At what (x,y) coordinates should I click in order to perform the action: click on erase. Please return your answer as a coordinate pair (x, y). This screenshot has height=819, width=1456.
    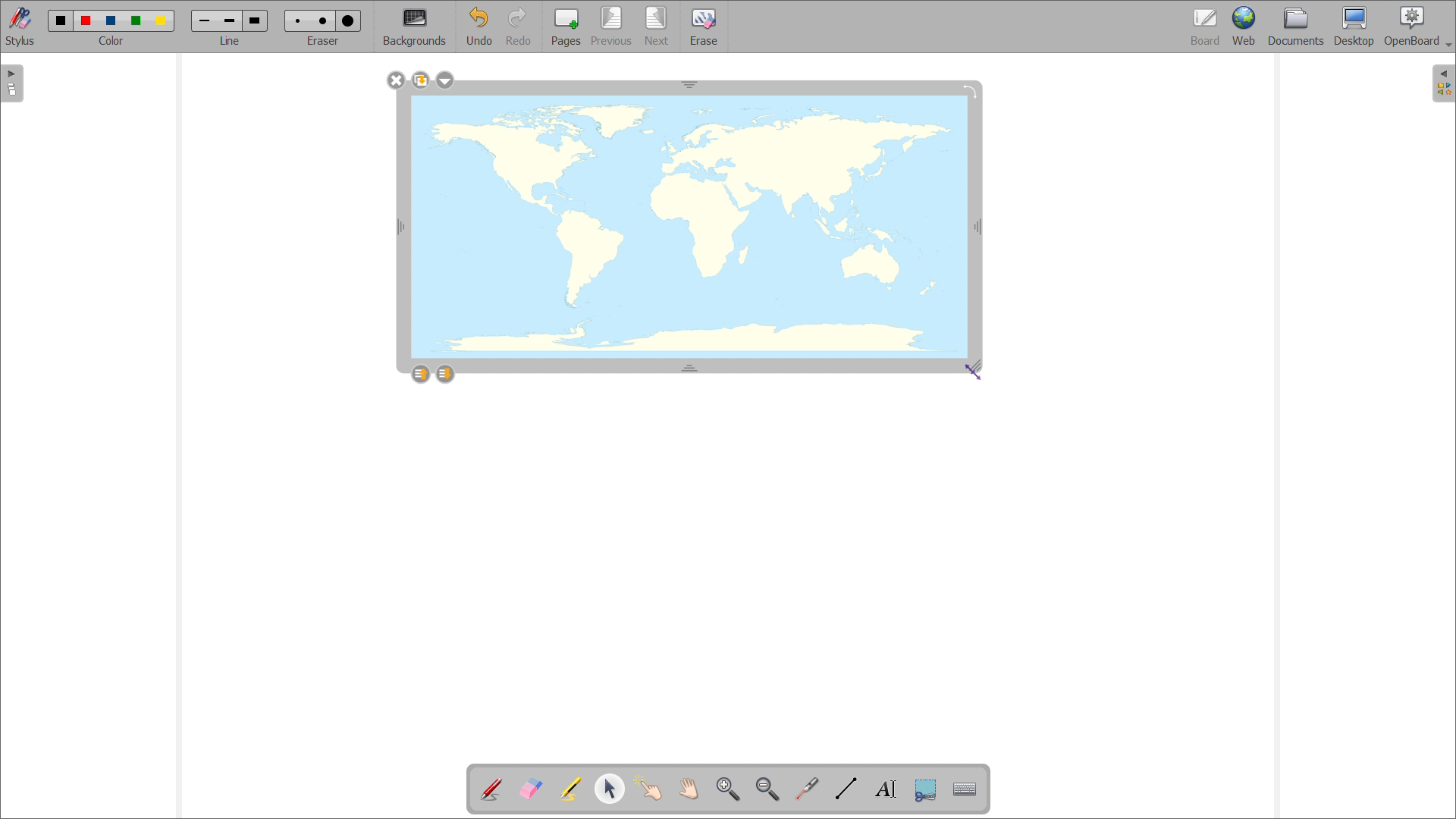
    Looking at the image, I should click on (704, 27).